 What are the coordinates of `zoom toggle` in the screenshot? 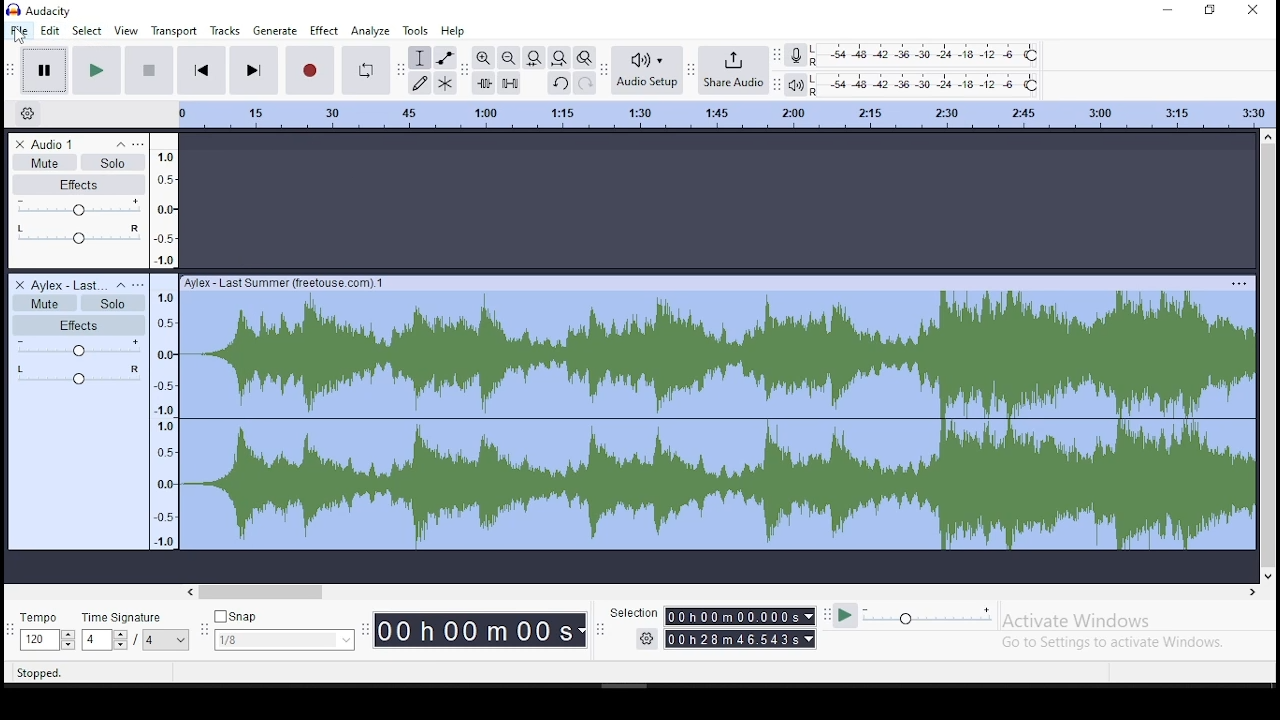 It's located at (584, 58).